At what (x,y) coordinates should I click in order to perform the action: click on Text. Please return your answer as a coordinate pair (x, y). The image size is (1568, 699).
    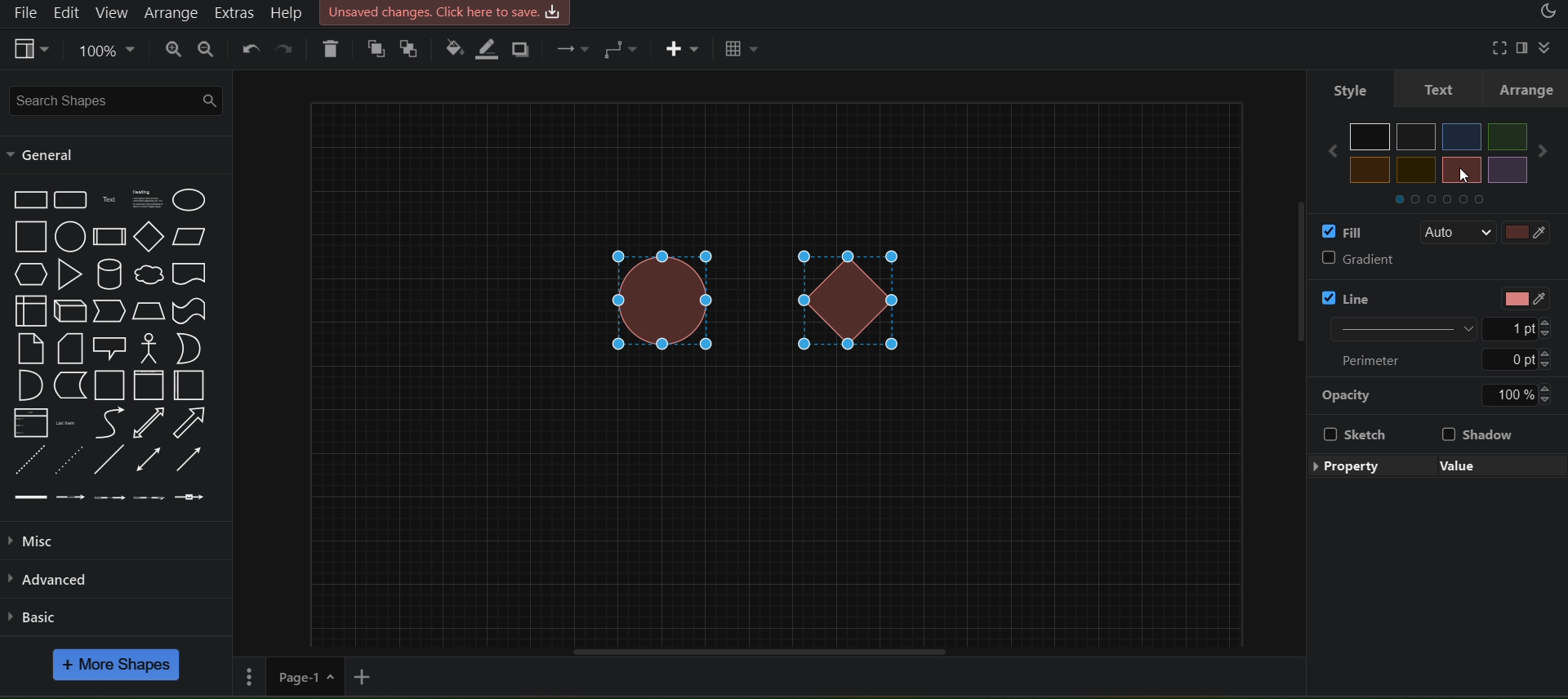
    Looking at the image, I should click on (110, 199).